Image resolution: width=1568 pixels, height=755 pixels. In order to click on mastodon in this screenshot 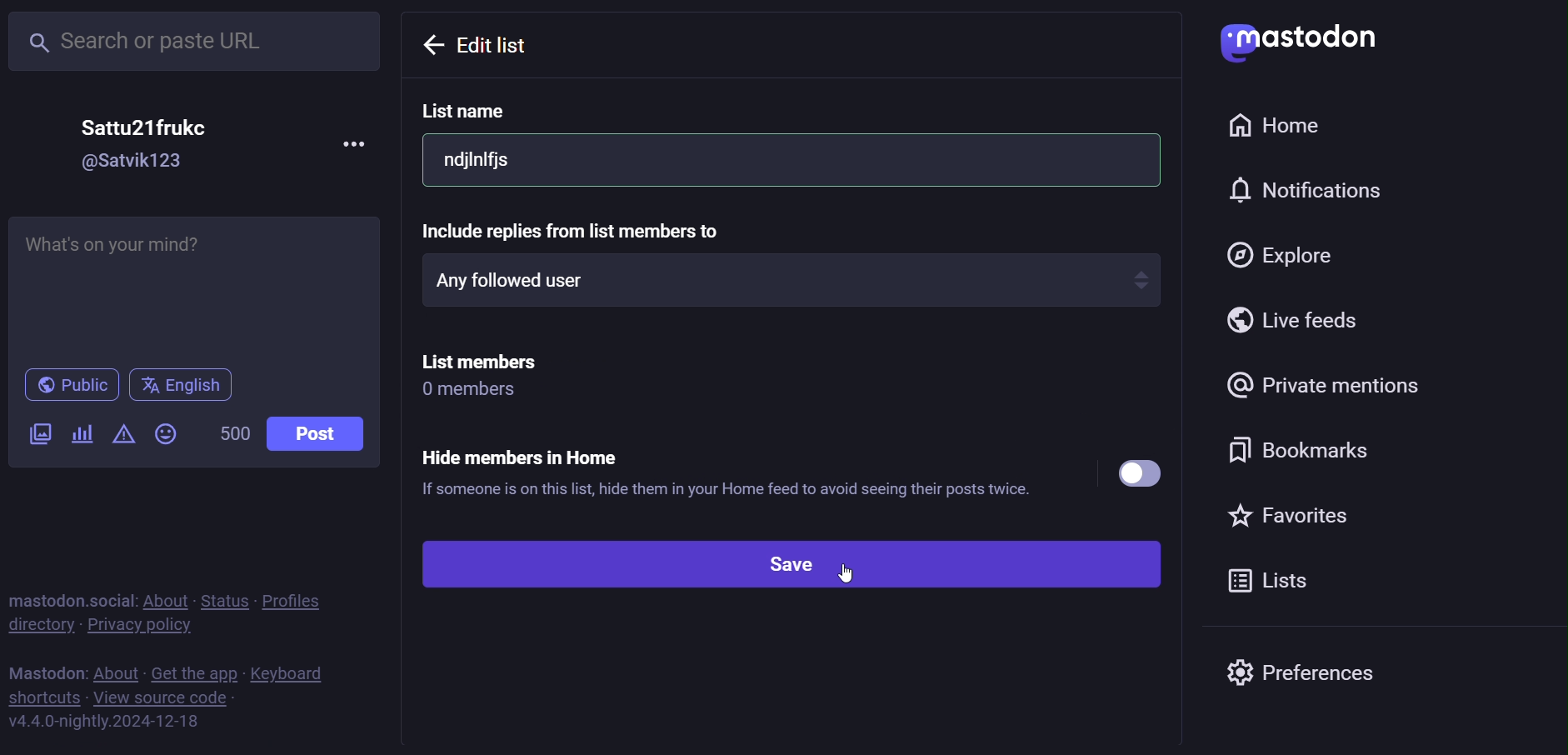, I will do `click(43, 671)`.